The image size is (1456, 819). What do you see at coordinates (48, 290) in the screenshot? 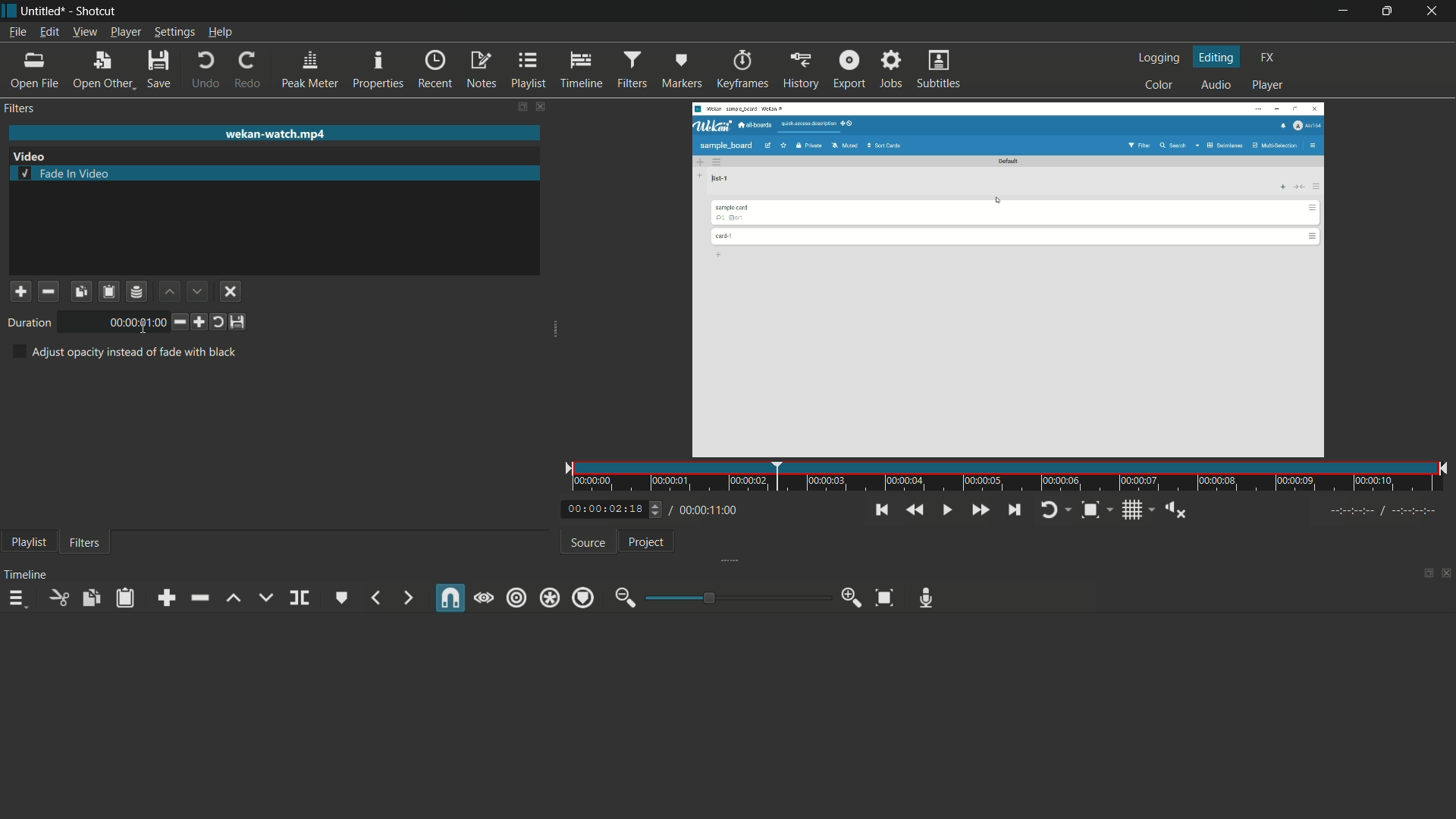
I see `remove the filter` at bounding box center [48, 290].